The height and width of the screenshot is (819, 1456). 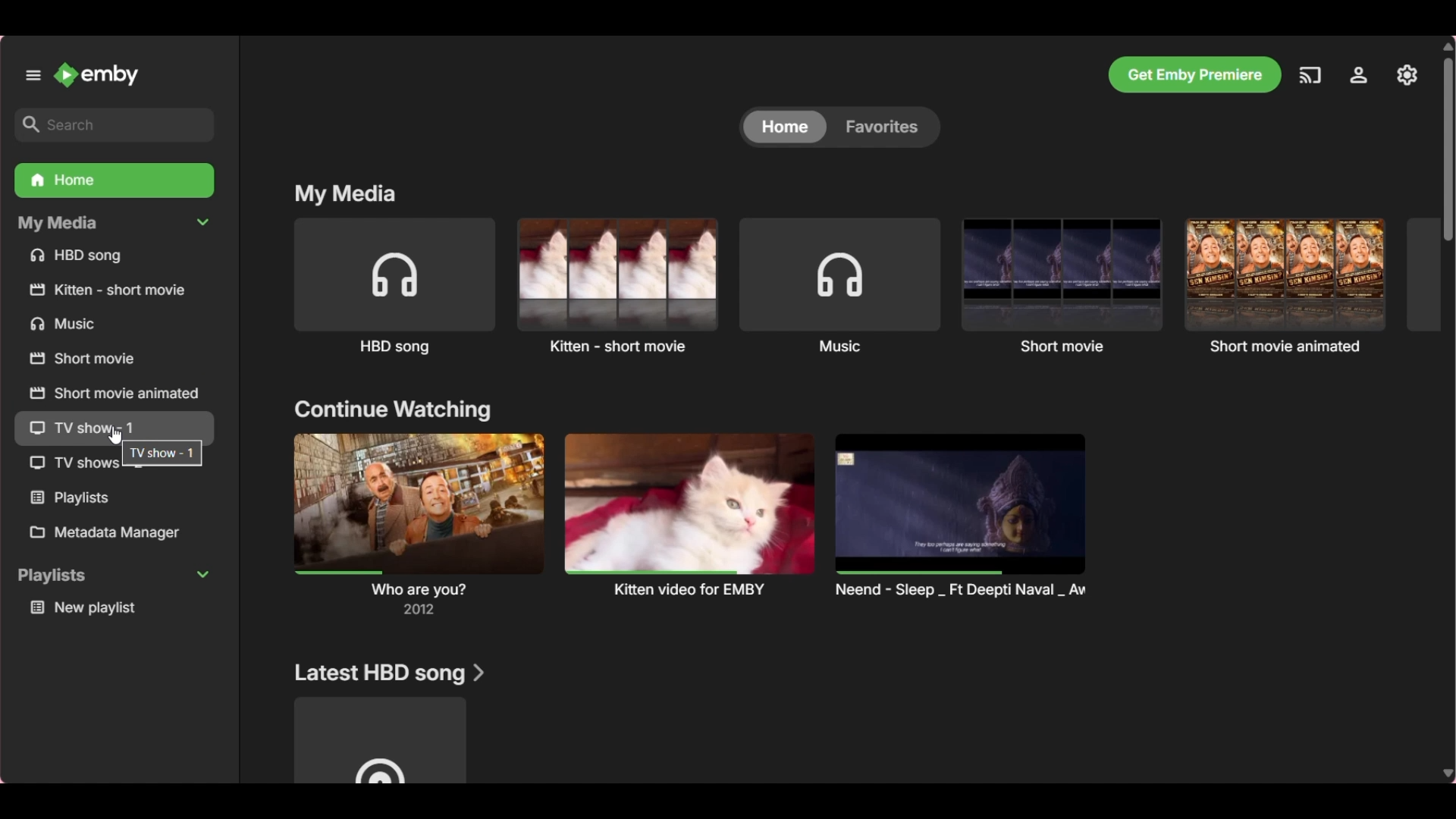 What do you see at coordinates (1448, 46) in the screenshot?
I see `Quick slide to top` at bounding box center [1448, 46].